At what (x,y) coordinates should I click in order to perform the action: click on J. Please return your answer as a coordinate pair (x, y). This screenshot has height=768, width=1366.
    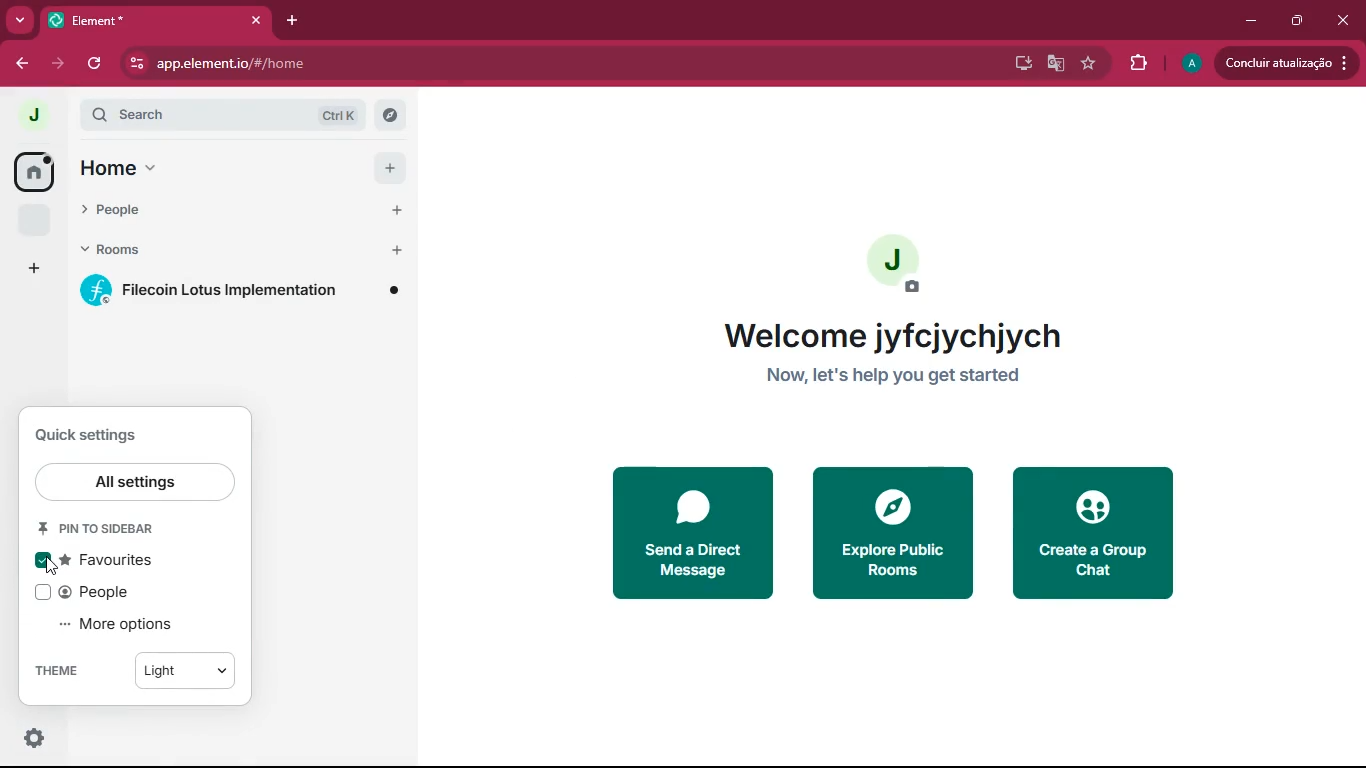
    Looking at the image, I should click on (43, 111).